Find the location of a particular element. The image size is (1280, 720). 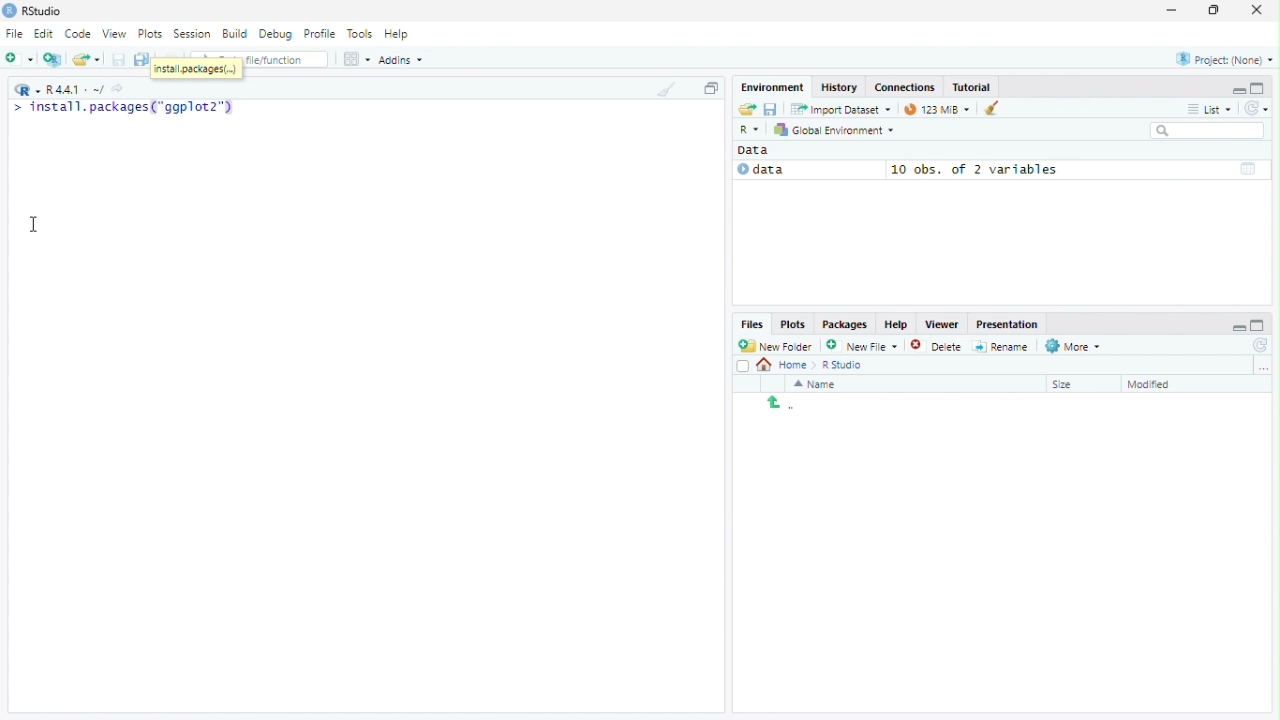

Current memory usage - 97MiB is located at coordinates (932, 109).